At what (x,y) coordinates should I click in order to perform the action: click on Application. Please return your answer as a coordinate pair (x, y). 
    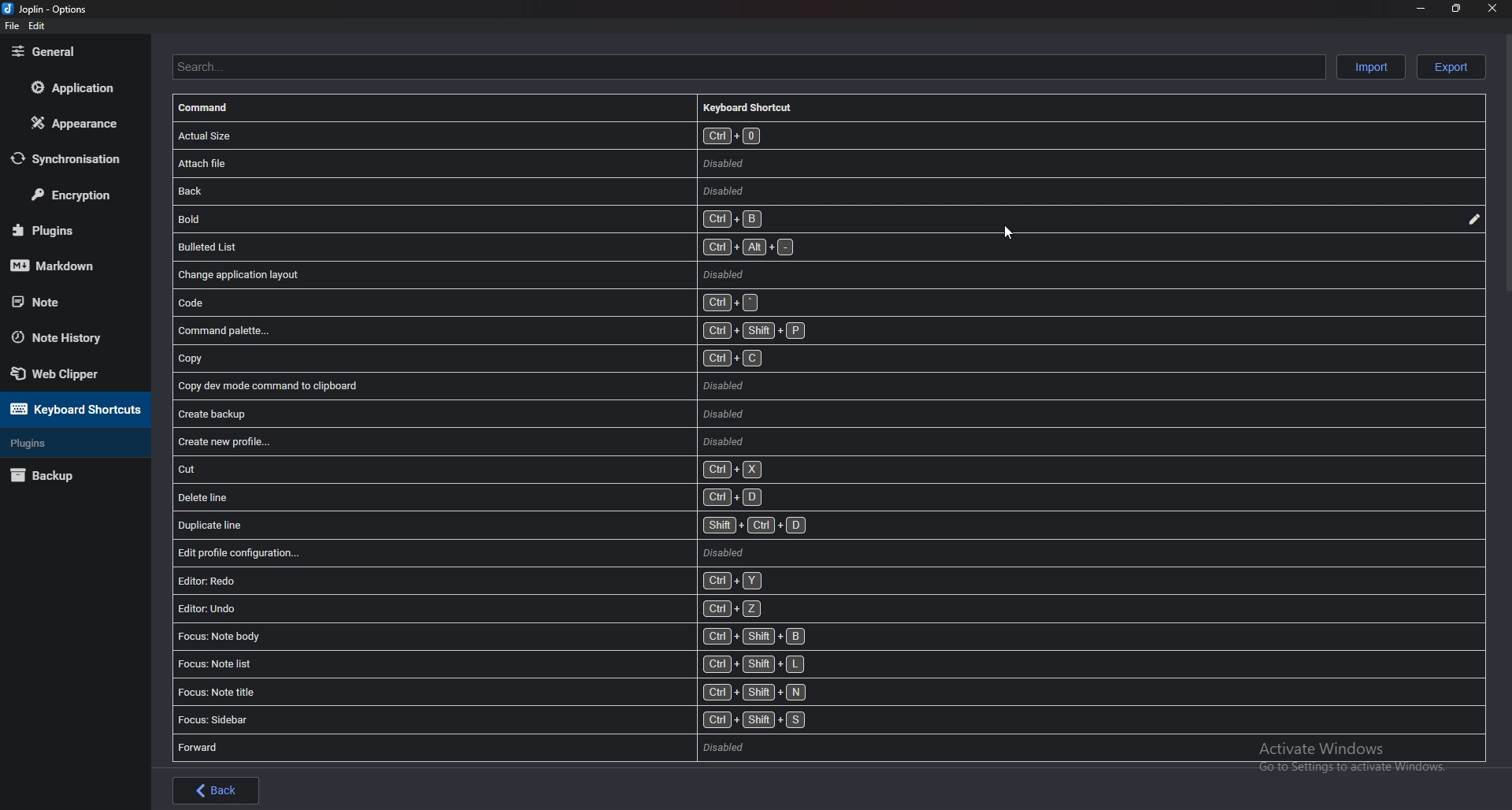
    Looking at the image, I should click on (72, 88).